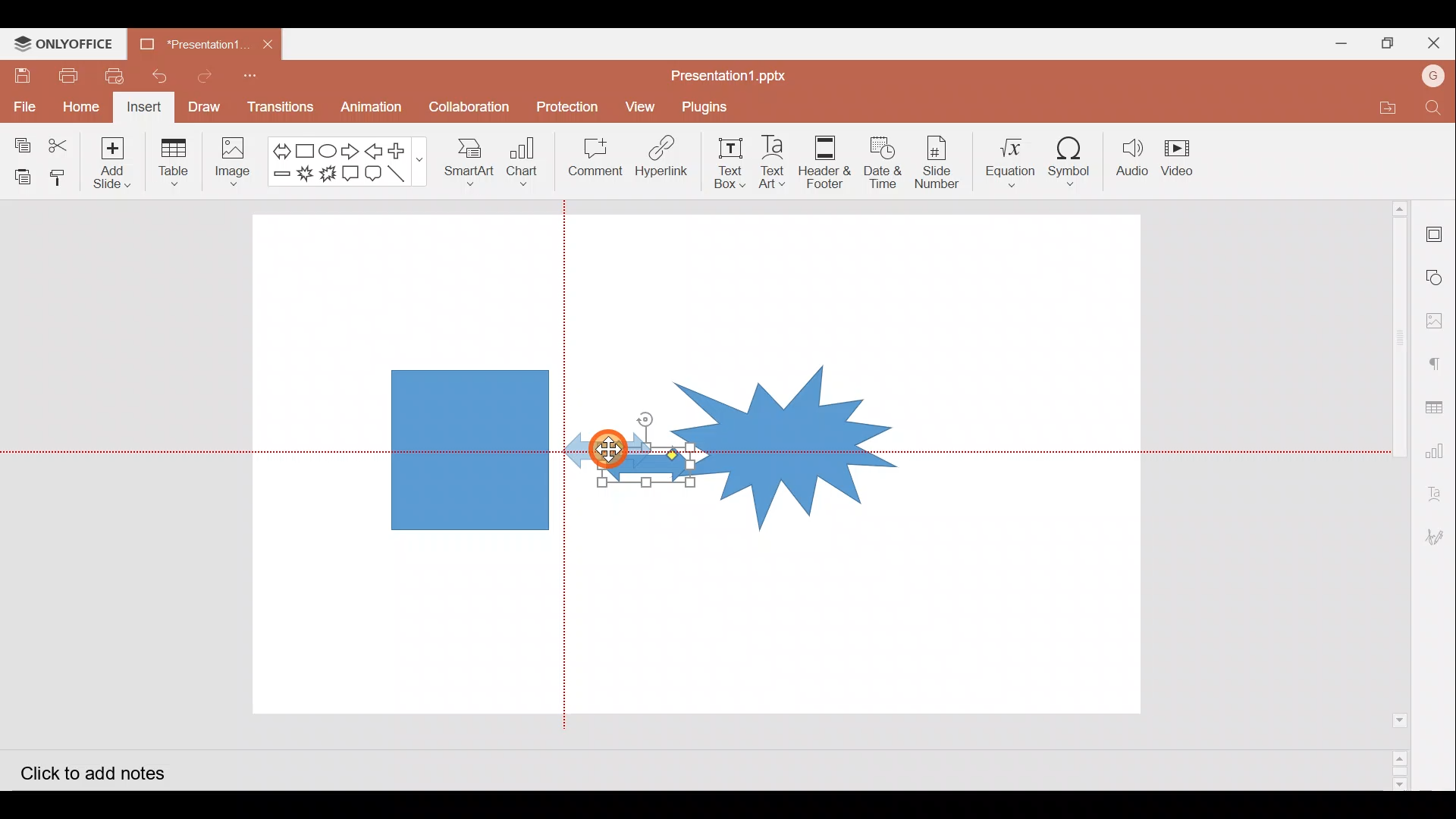  I want to click on Right arrow, so click(352, 149).